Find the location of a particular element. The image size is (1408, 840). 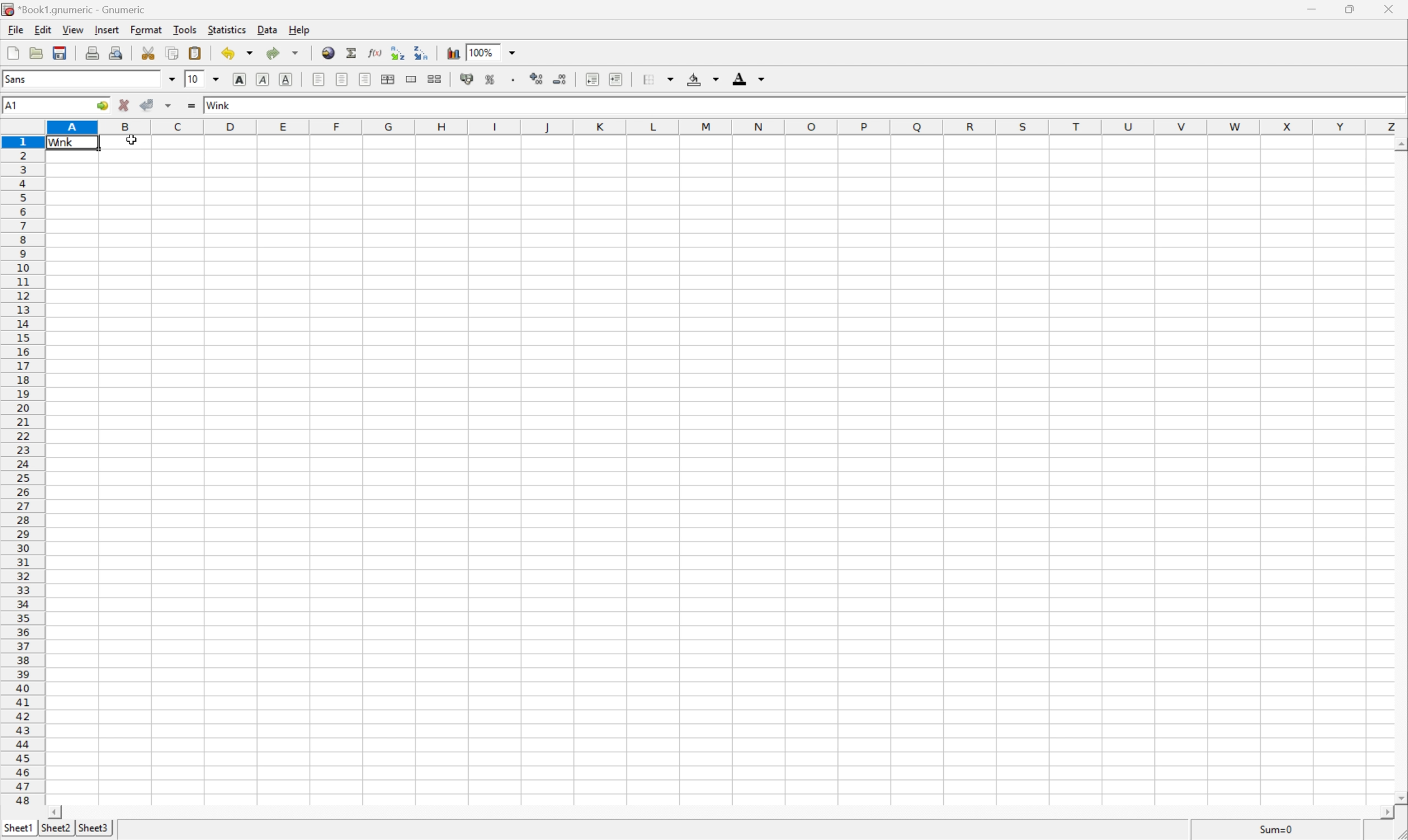

drop down is located at coordinates (172, 79).